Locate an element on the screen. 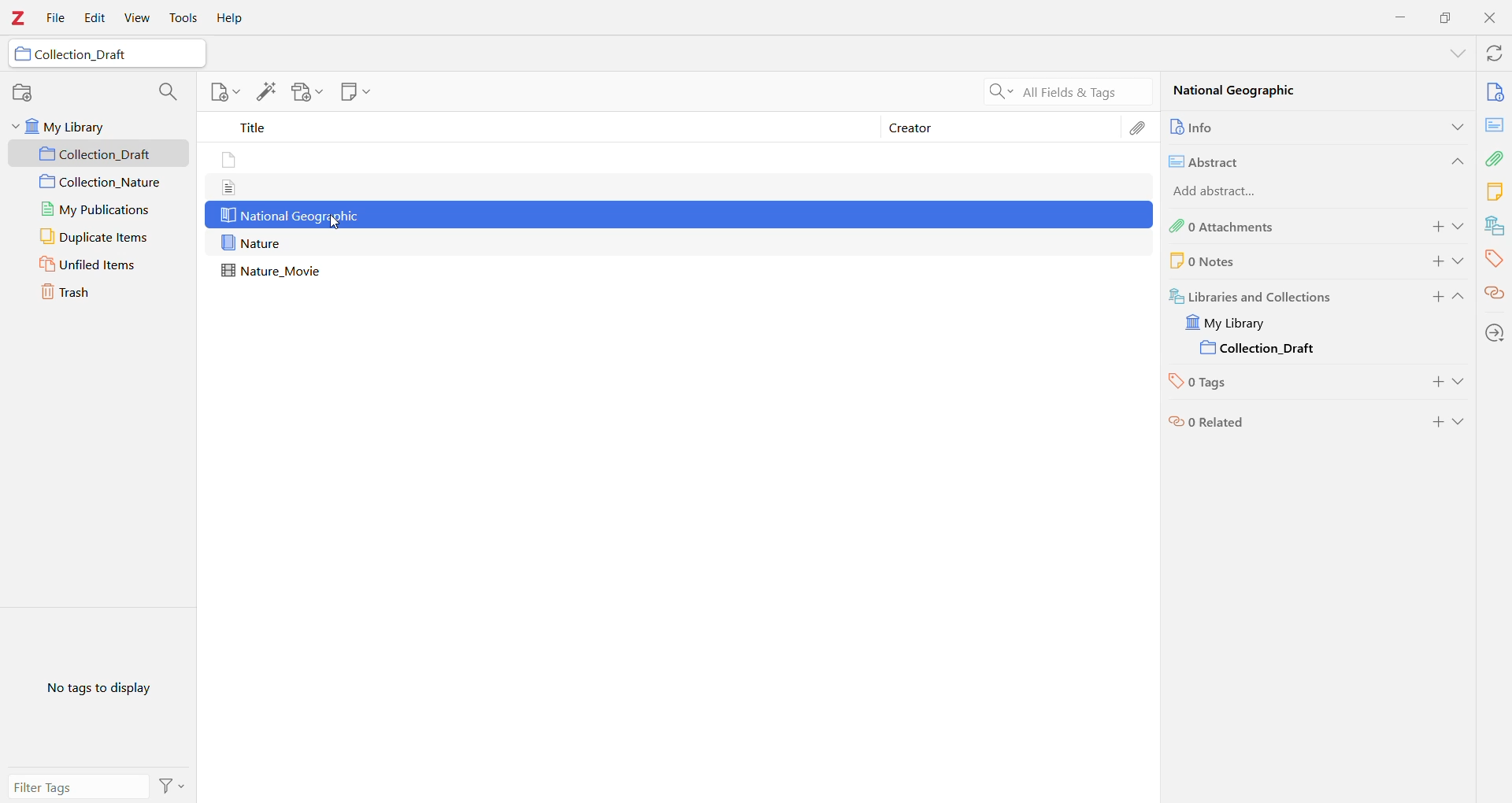 The width and height of the screenshot is (1512, 803). Expand Section is located at coordinates (1461, 385).